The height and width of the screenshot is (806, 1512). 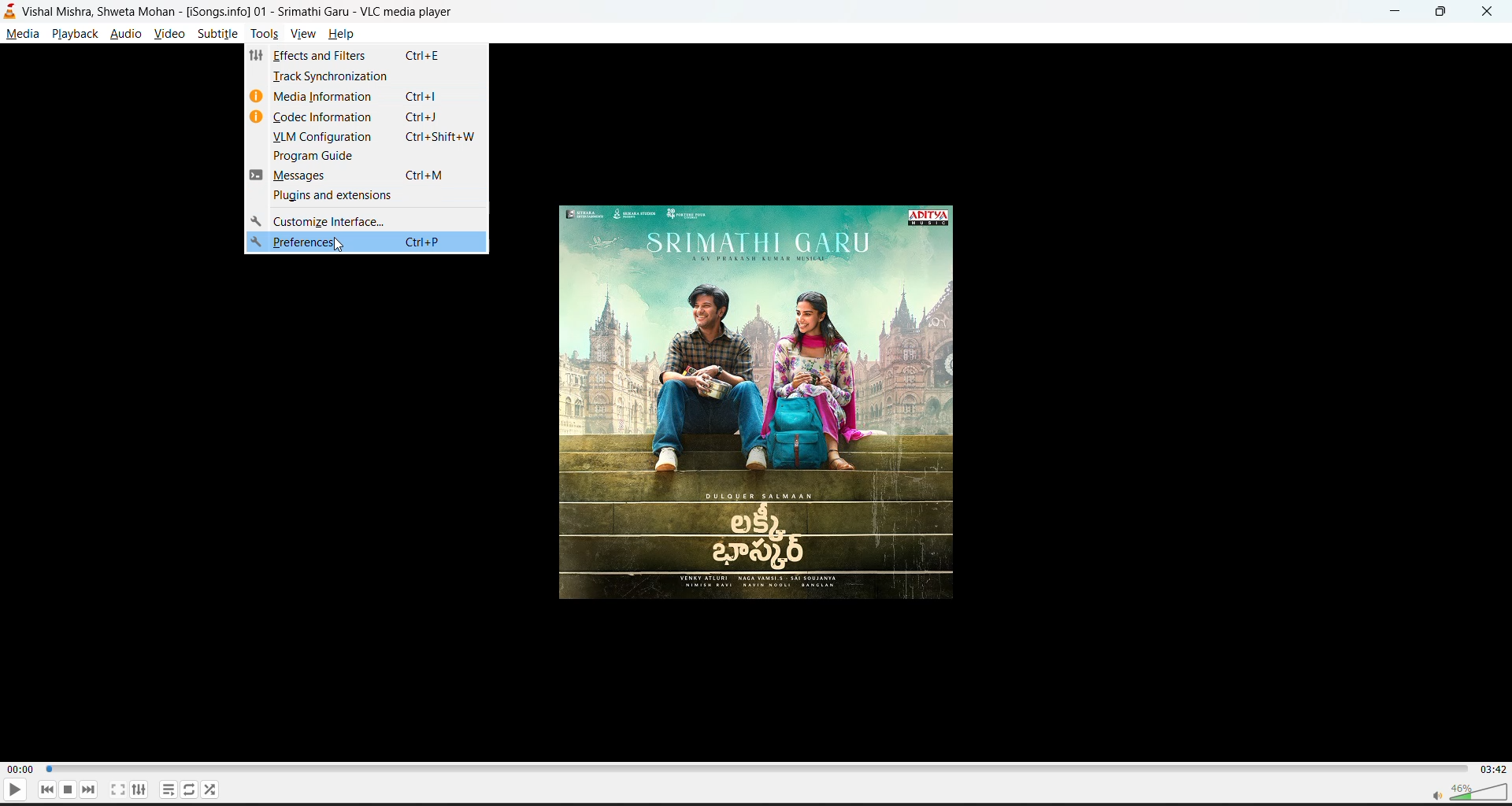 I want to click on next, so click(x=86, y=790).